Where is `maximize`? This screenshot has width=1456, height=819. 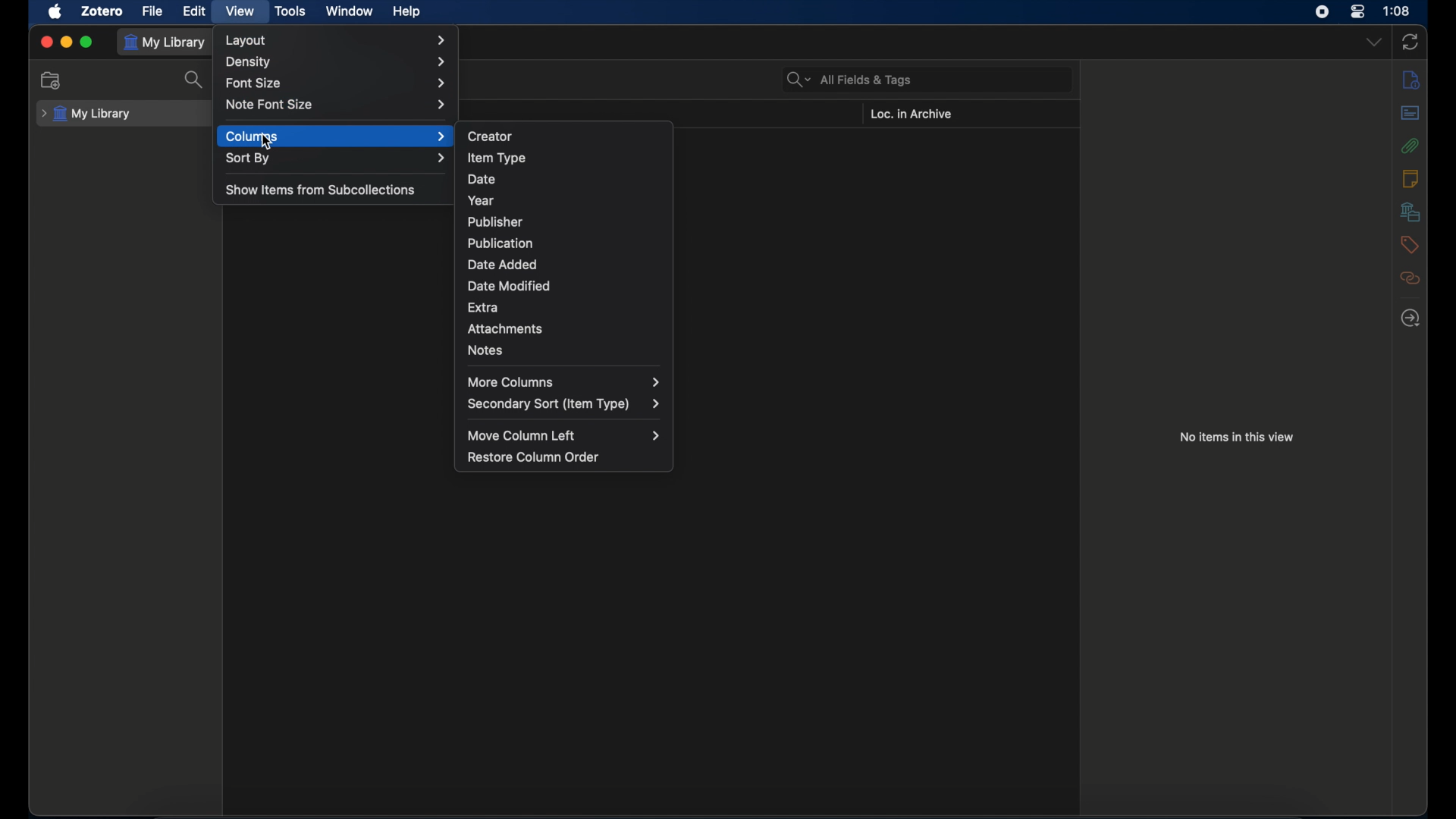
maximize is located at coordinates (86, 42).